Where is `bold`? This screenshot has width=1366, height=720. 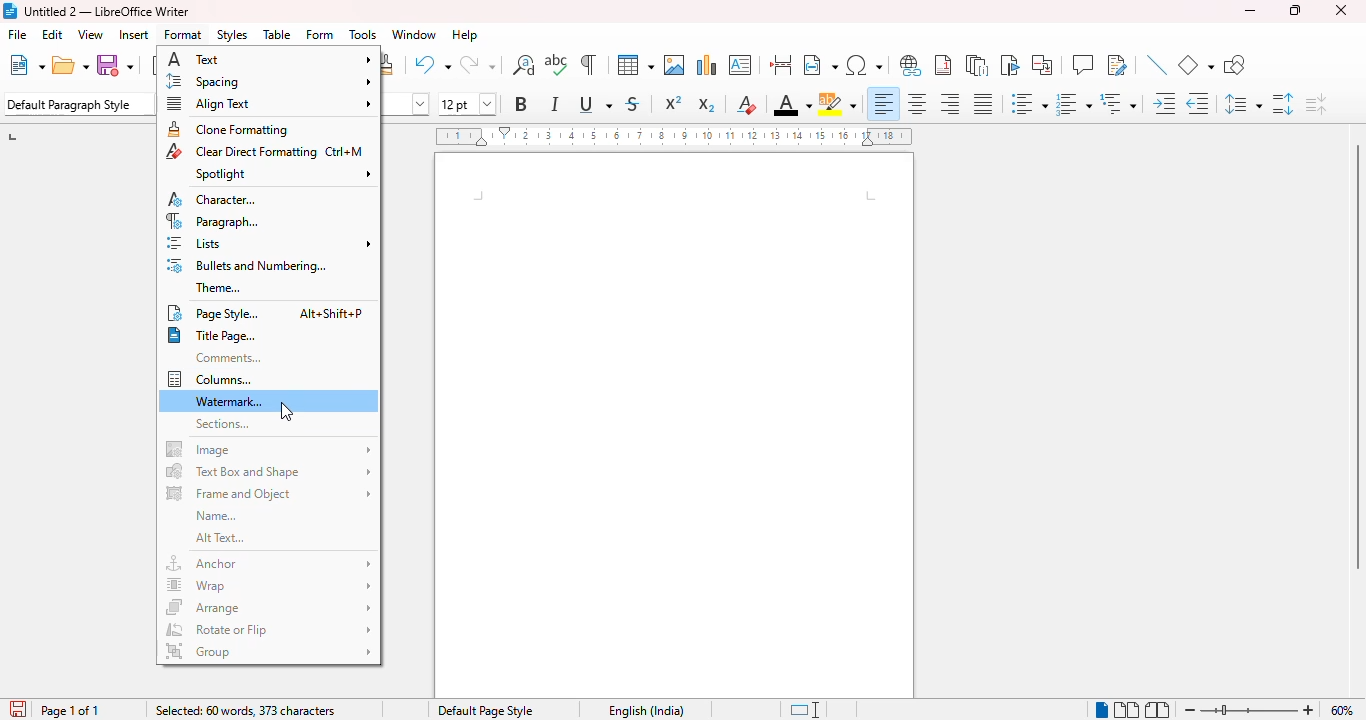
bold is located at coordinates (520, 103).